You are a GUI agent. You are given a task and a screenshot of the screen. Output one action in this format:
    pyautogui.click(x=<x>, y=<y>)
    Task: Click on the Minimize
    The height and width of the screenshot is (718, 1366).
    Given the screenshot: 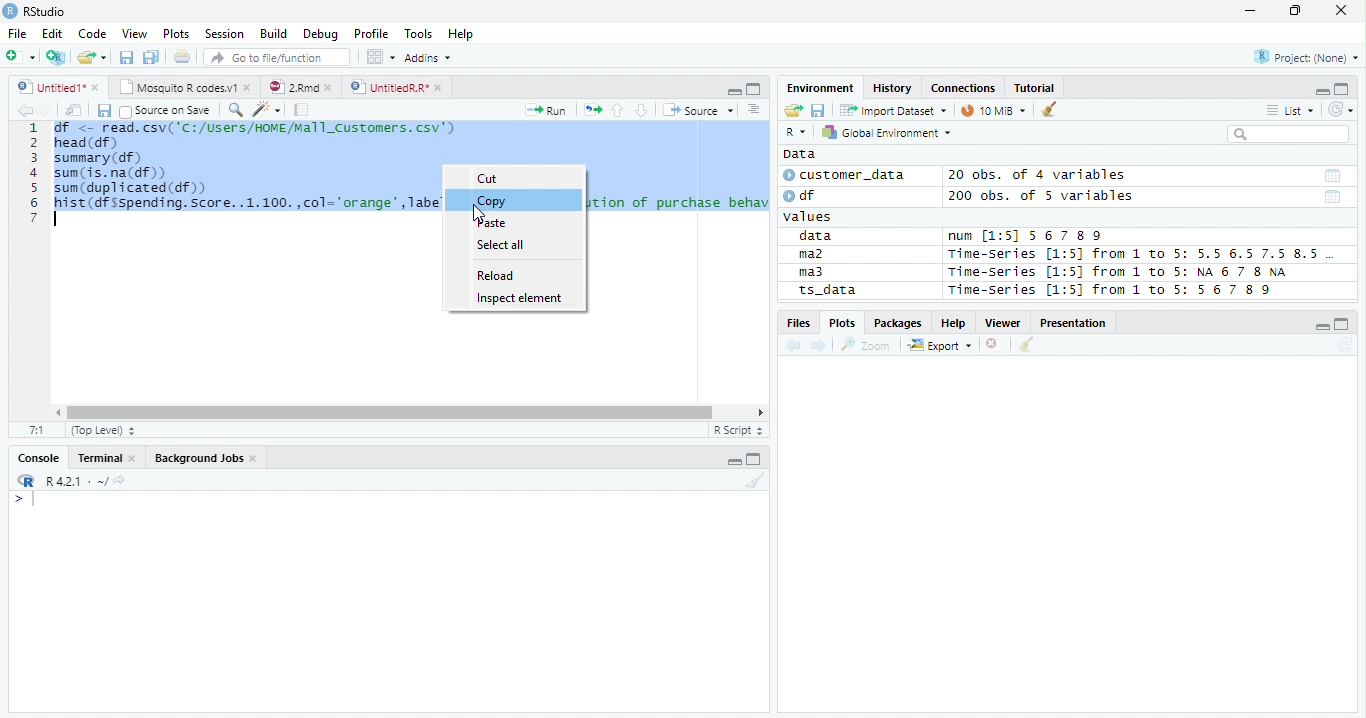 What is the action you would take?
    pyautogui.click(x=735, y=459)
    